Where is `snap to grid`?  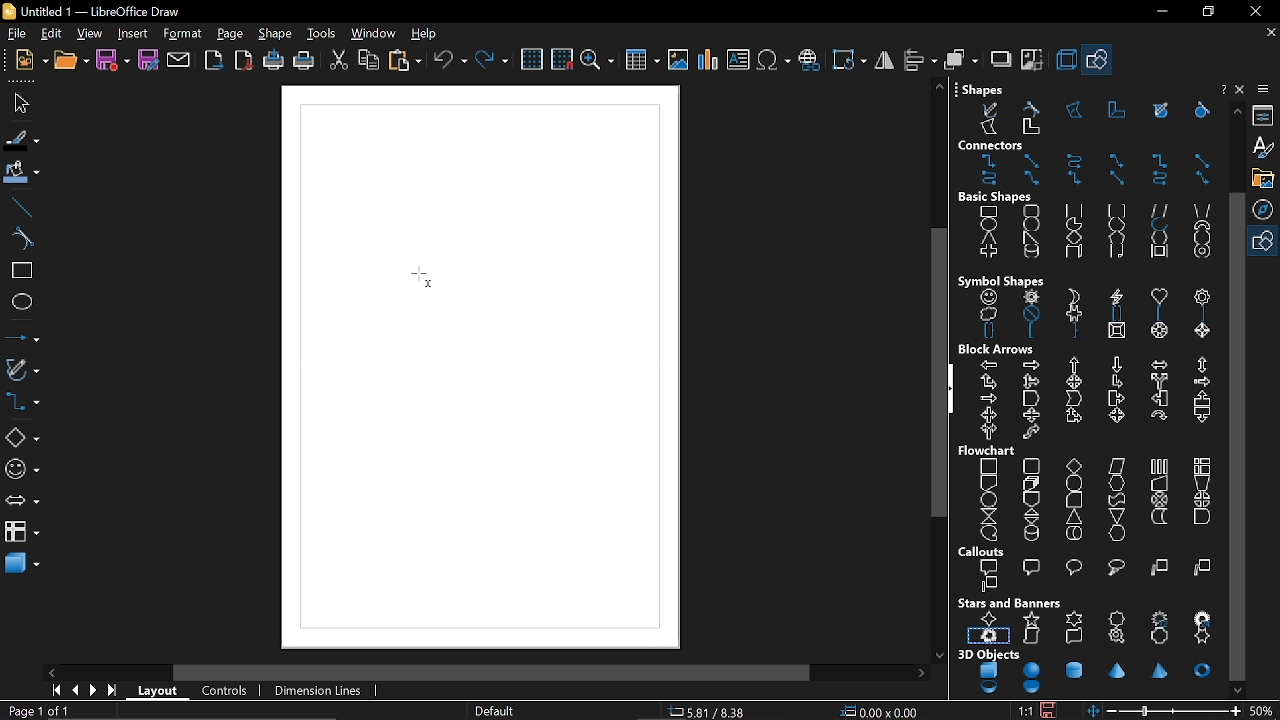
snap to grid is located at coordinates (561, 60).